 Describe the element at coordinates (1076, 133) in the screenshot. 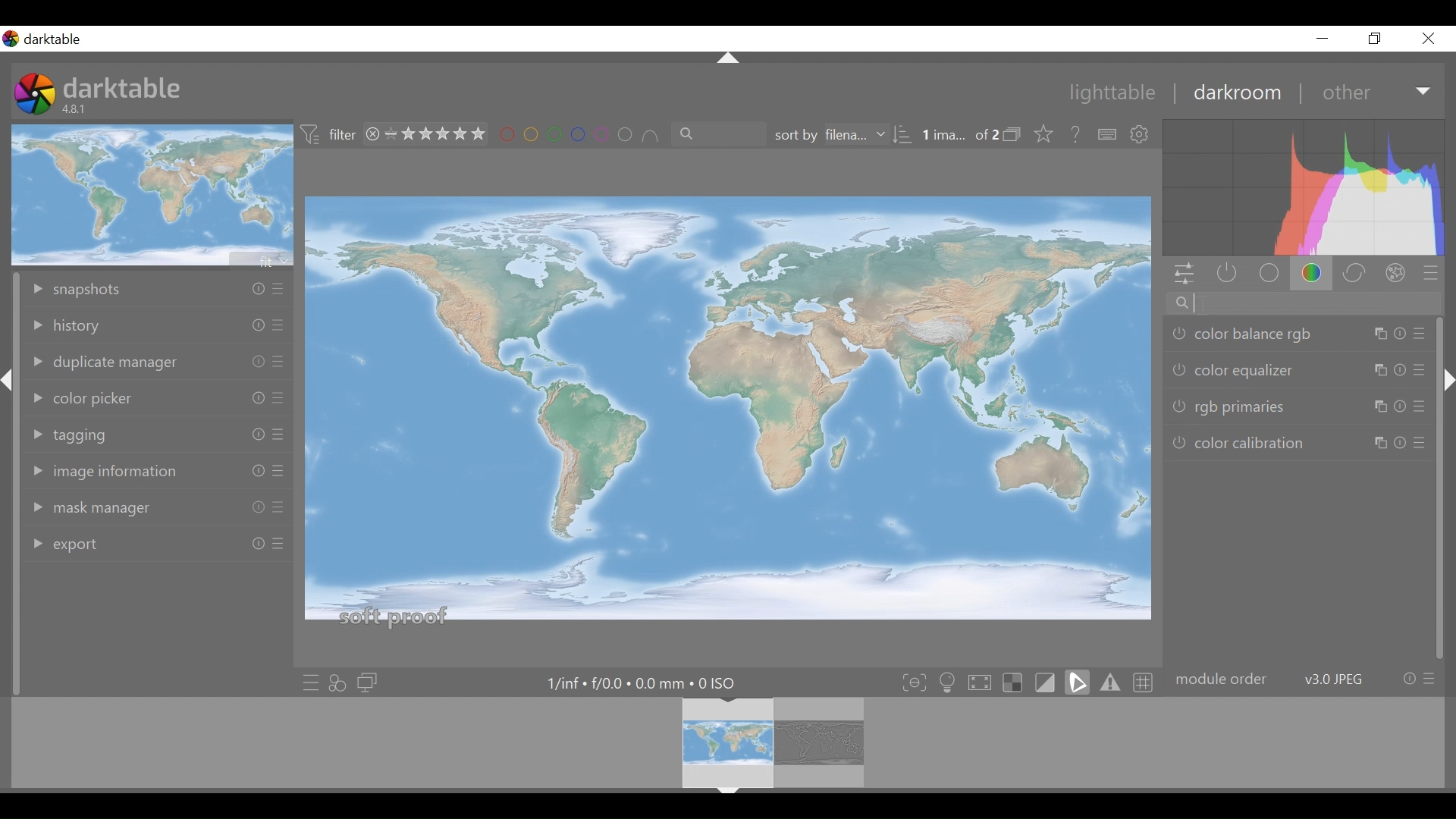

I see `Help` at that location.